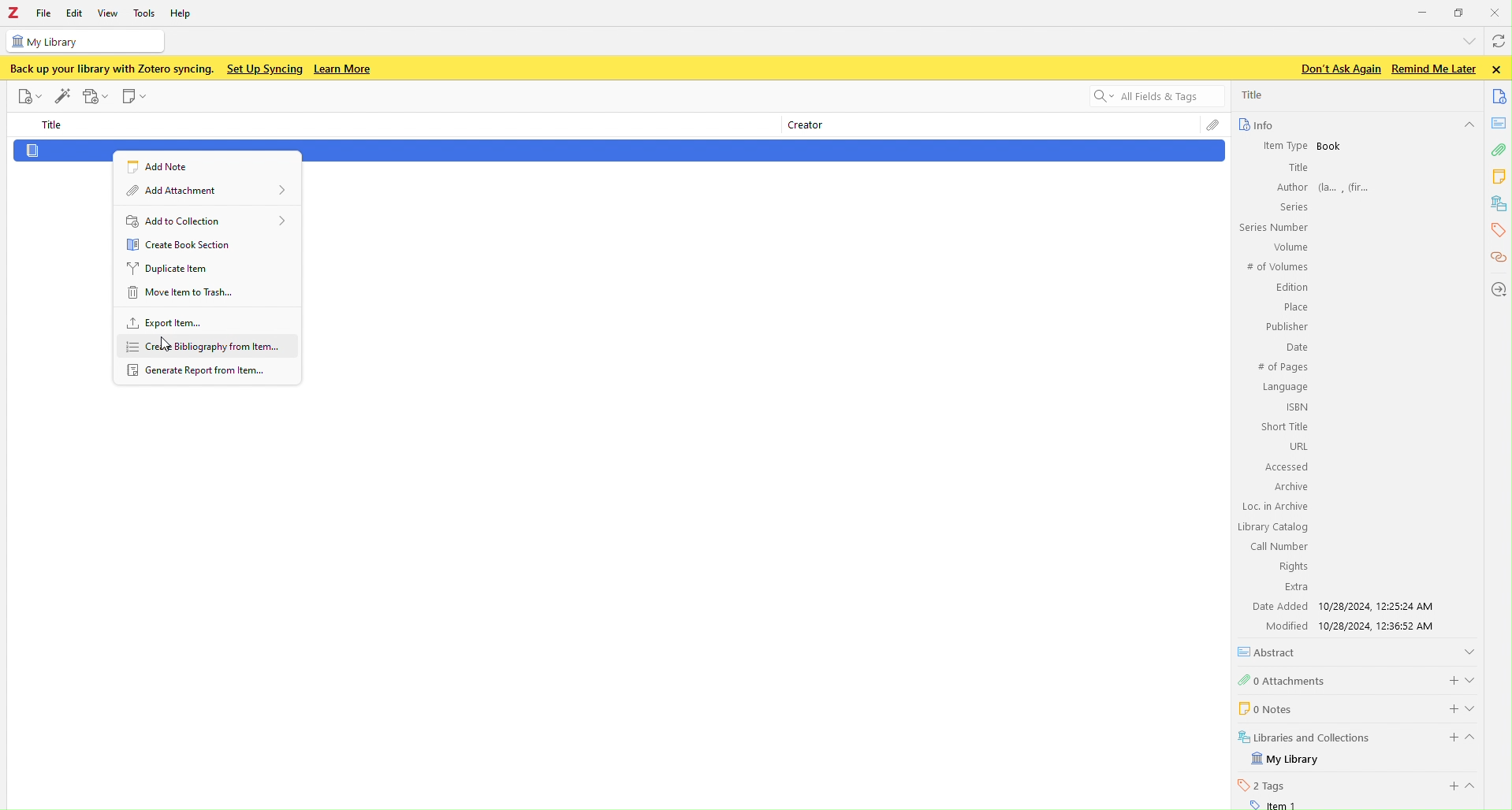 This screenshot has height=810, width=1512. I want to click on Language, so click(1285, 388).